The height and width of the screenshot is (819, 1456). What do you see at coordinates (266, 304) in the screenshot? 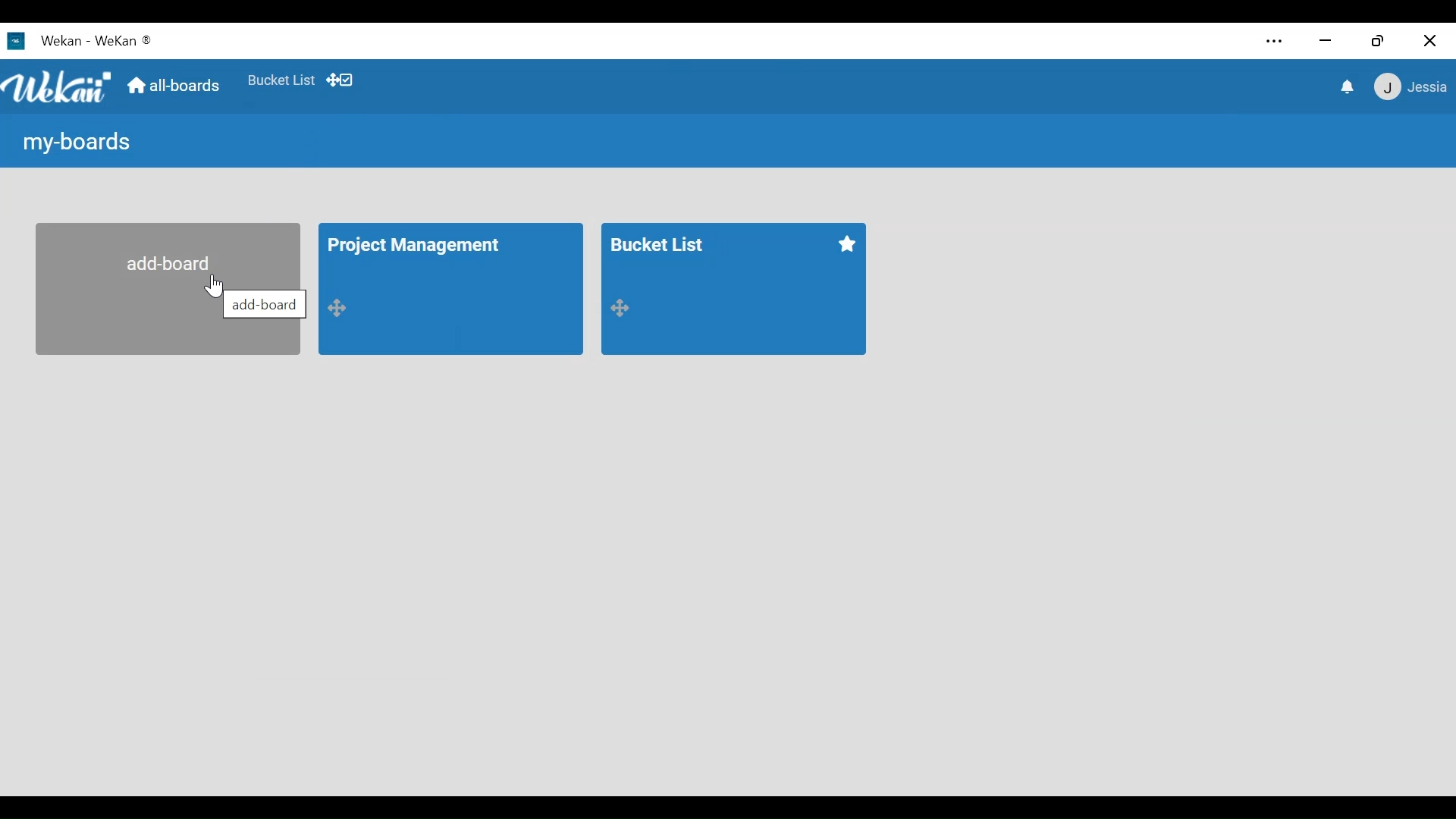
I see `add board` at bounding box center [266, 304].